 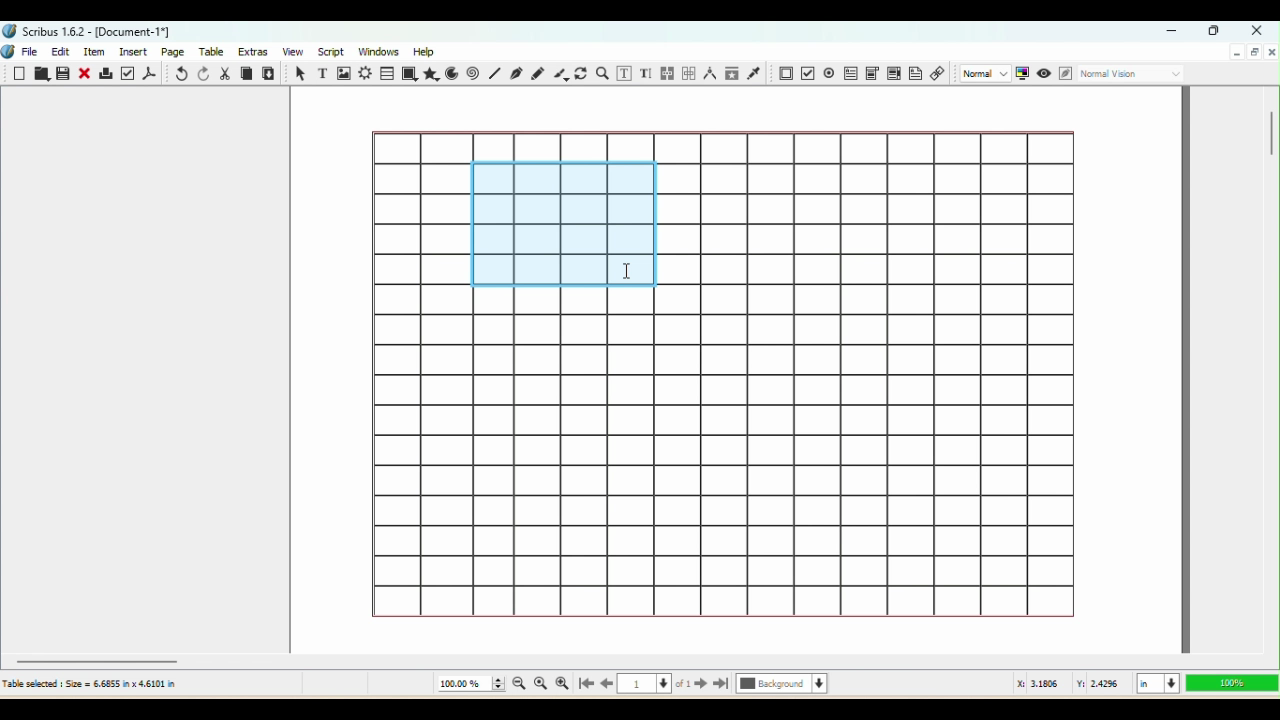 I want to click on Cut, so click(x=225, y=73).